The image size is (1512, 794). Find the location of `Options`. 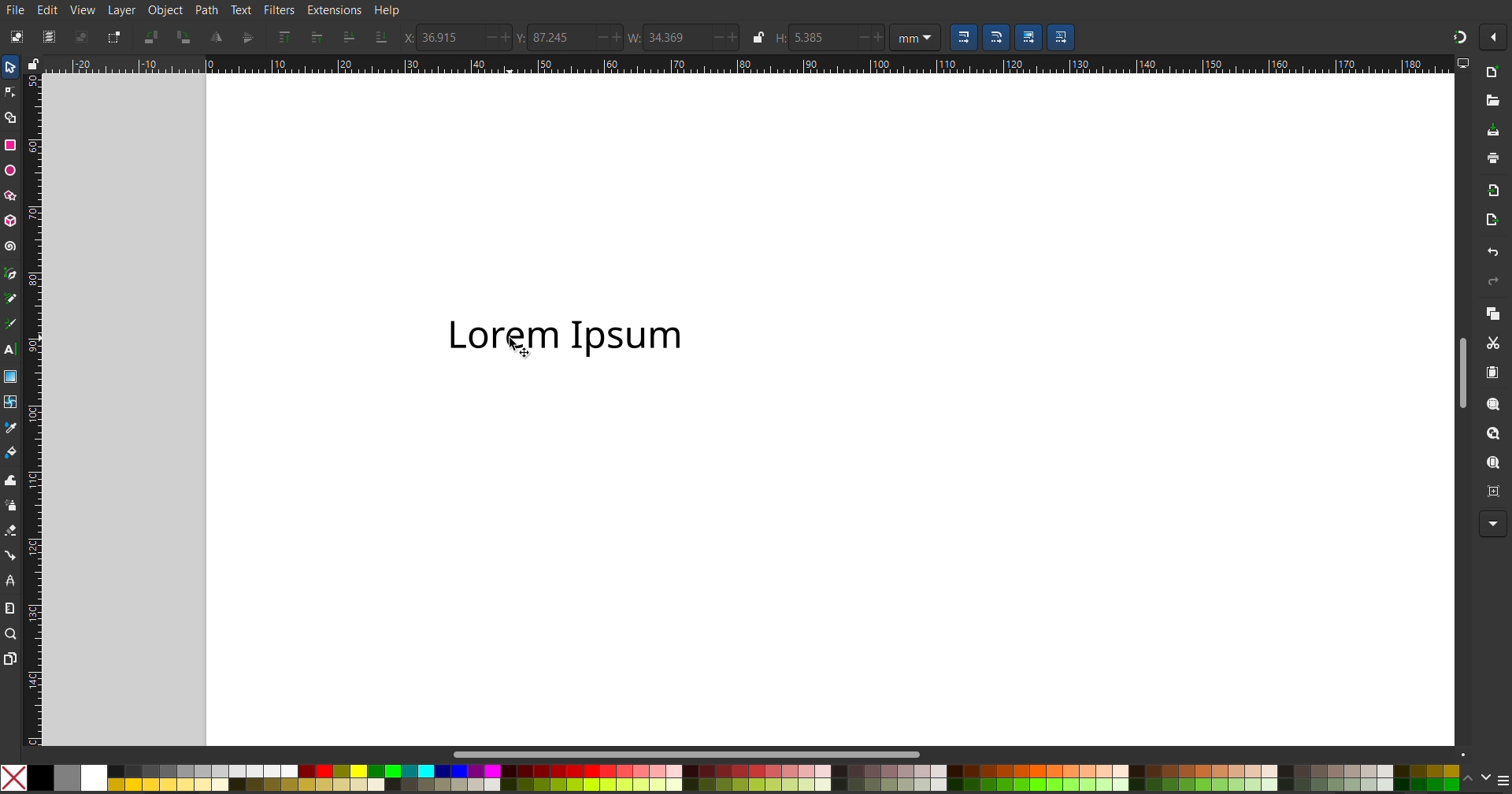

Options is located at coordinates (1493, 35).